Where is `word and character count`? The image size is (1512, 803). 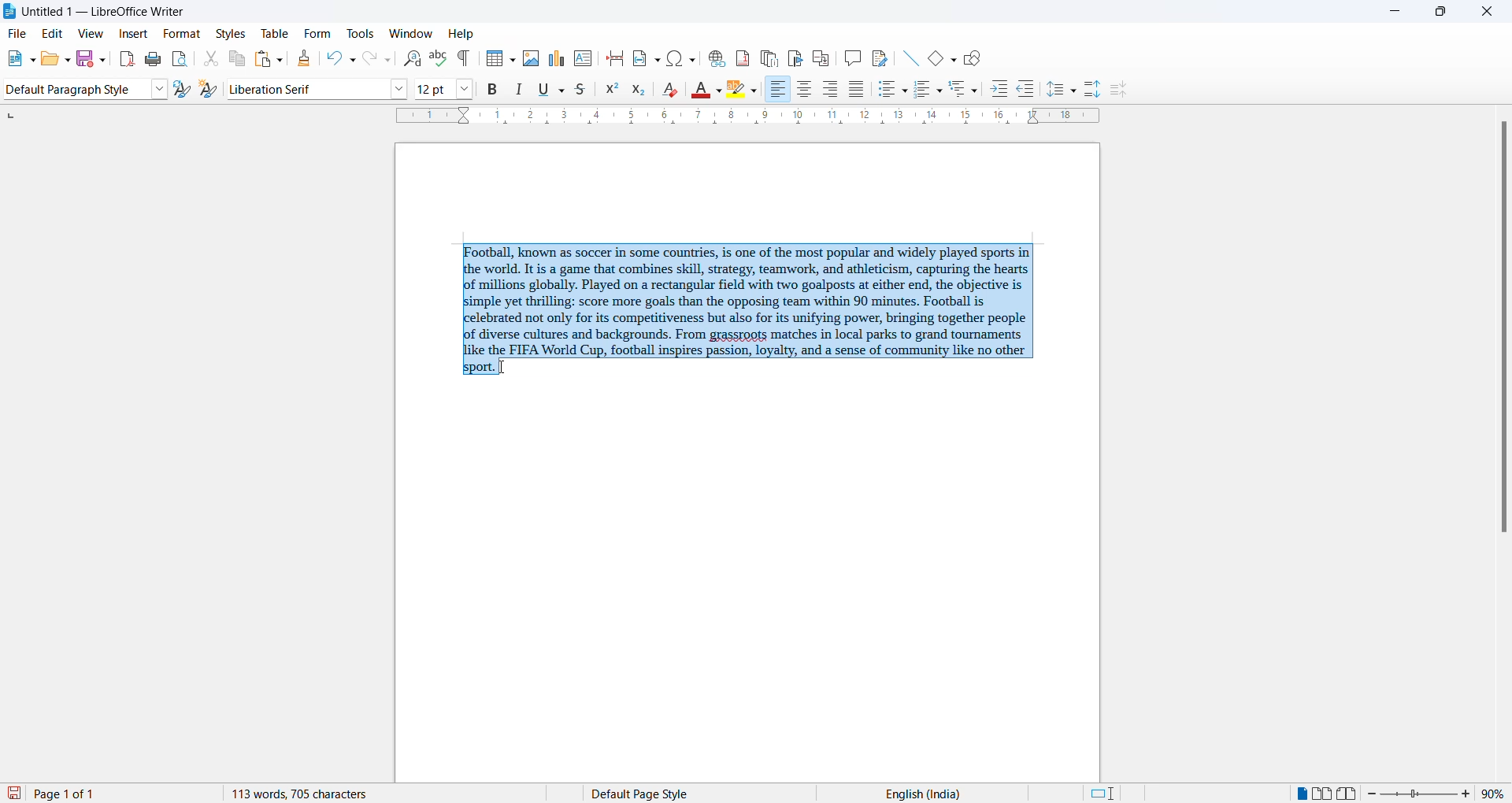
word and character count is located at coordinates (339, 794).